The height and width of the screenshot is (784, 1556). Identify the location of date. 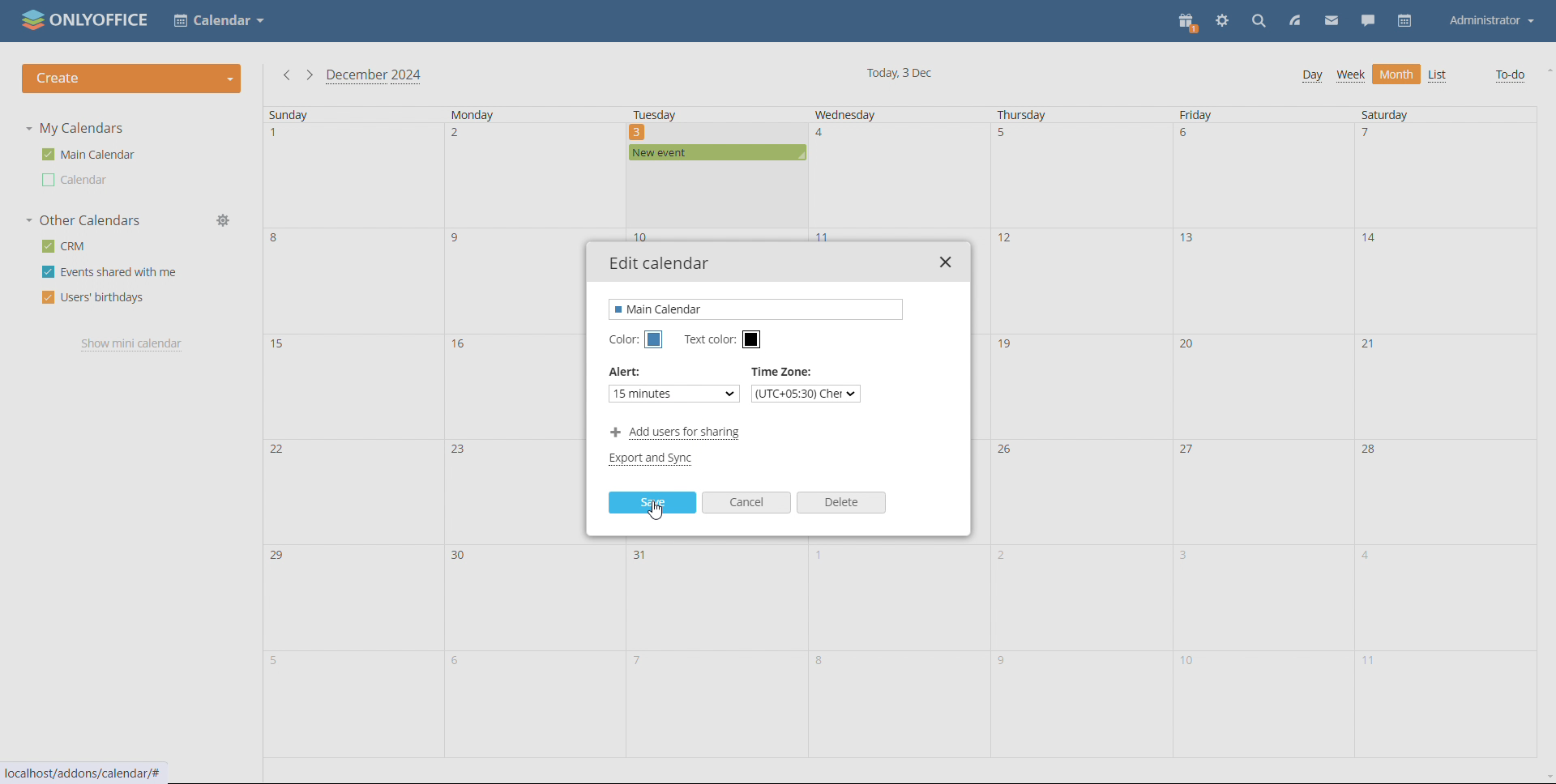
(901, 176).